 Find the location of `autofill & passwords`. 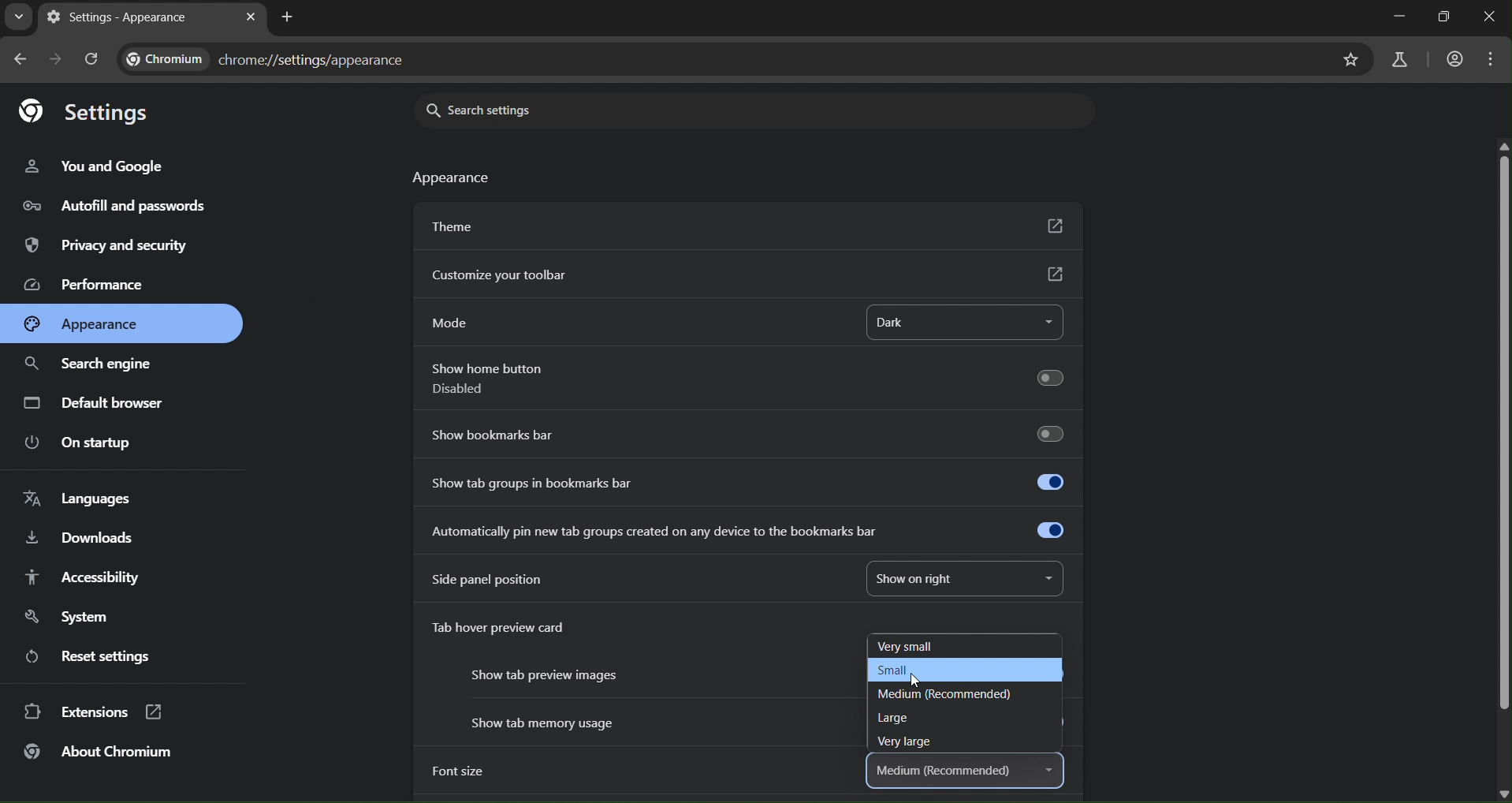

autofill & passwords is located at coordinates (113, 204).